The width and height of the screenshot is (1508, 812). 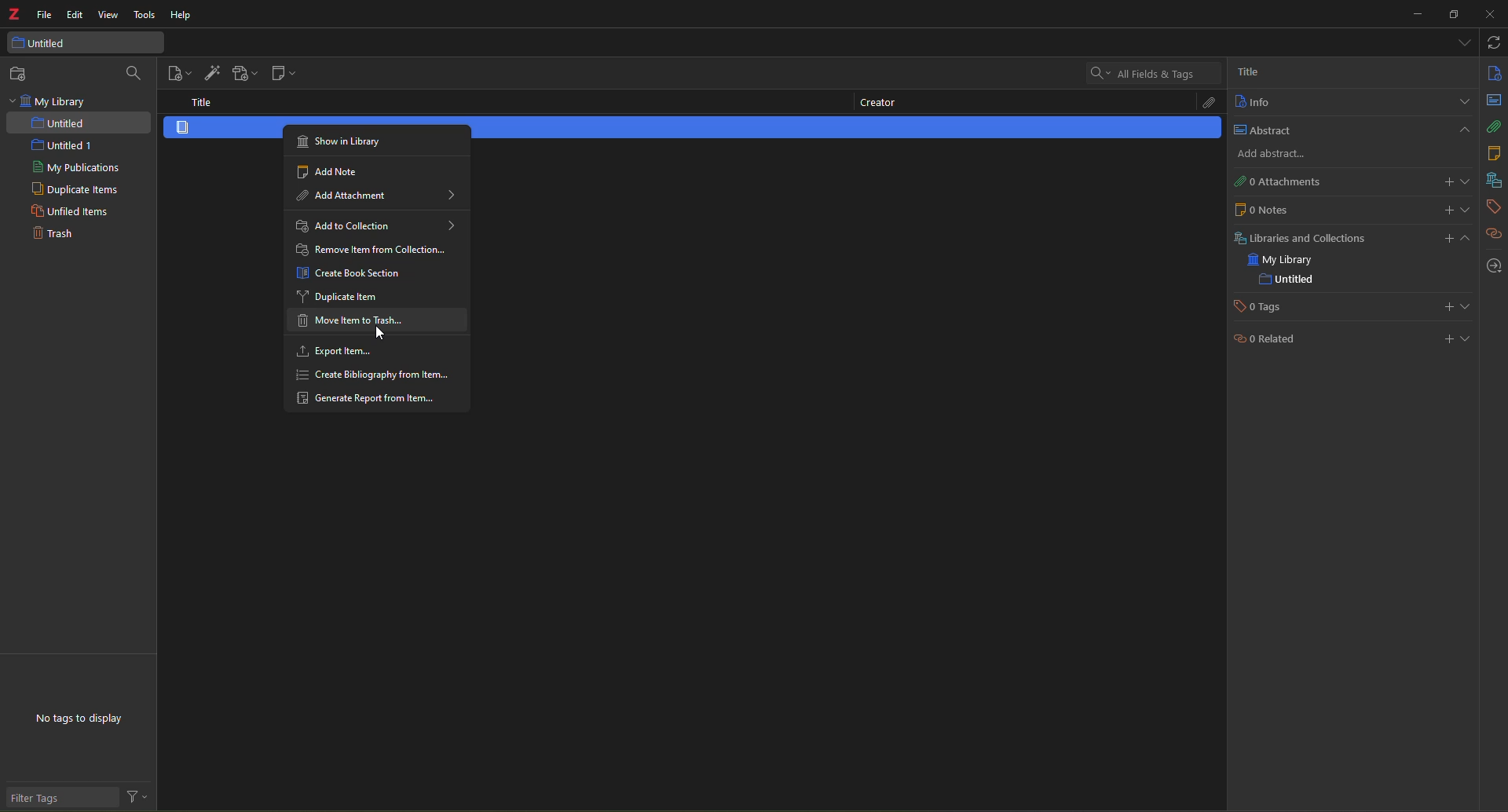 I want to click on expand, so click(x=1469, y=338).